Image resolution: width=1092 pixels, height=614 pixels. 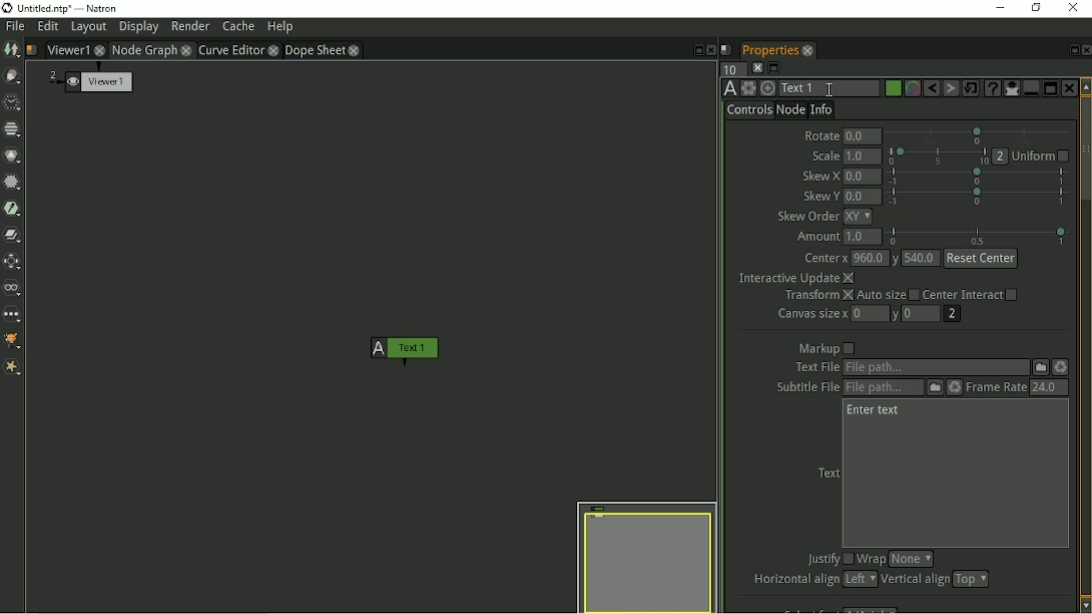 What do you see at coordinates (1085, 50) in the screenshot?
I see `Close` at bounding box center [1085, 50].